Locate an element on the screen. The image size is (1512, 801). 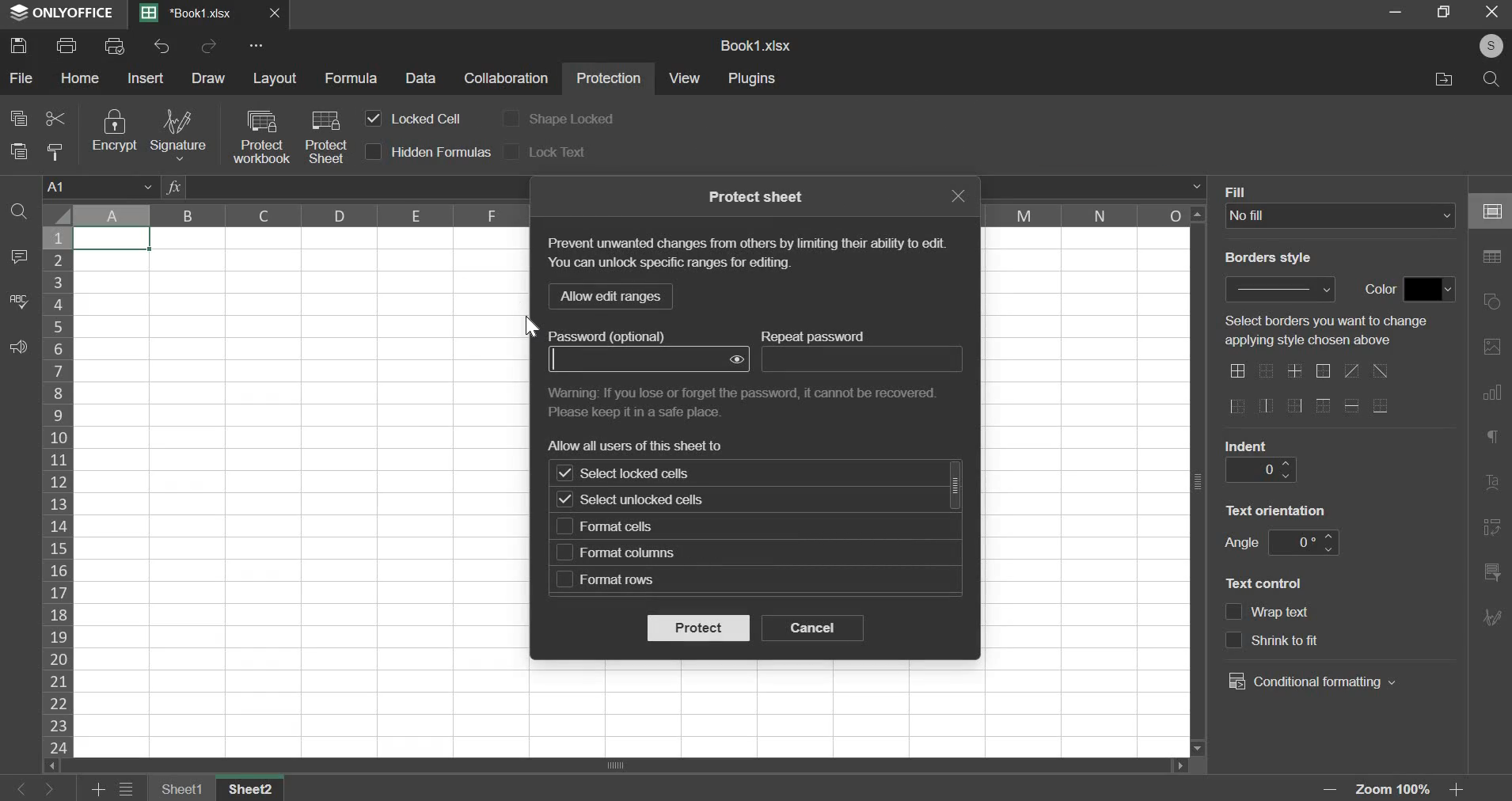
rows is located at coordinates (58, 490).